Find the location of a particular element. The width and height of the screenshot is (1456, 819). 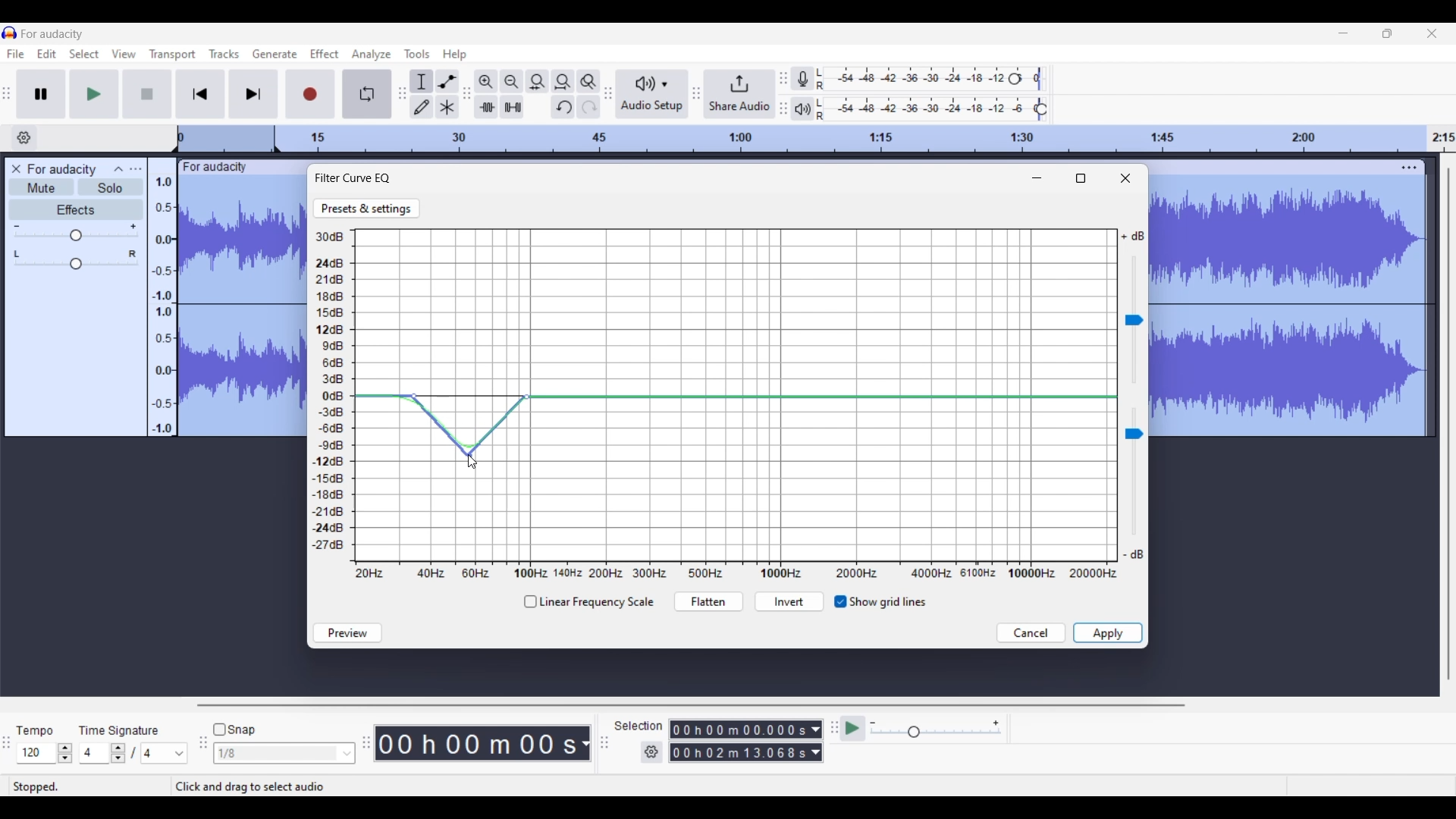

Scale to track length of audio is located at coordinates (870, 139).